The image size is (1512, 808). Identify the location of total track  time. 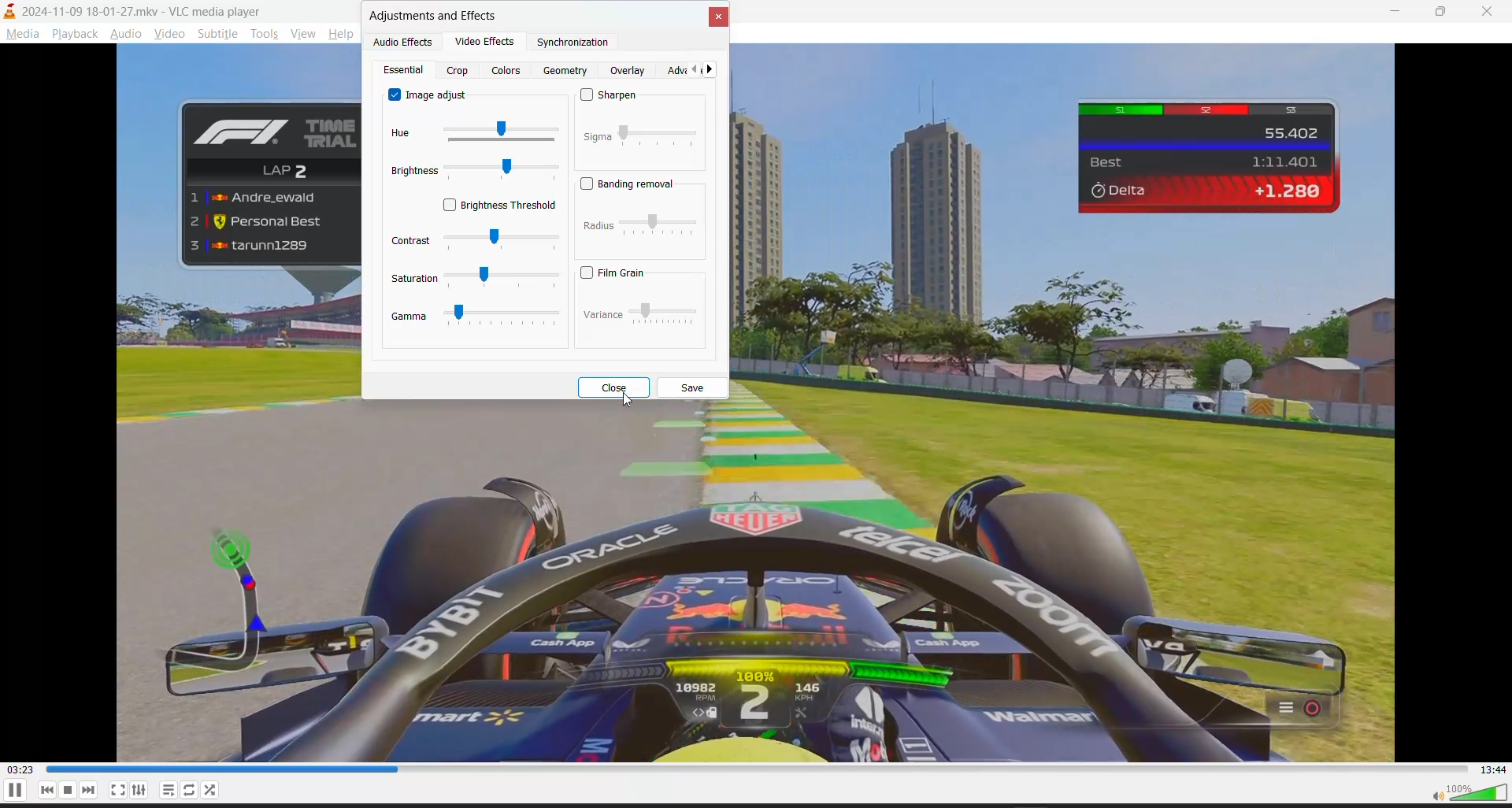
(1494, 769).